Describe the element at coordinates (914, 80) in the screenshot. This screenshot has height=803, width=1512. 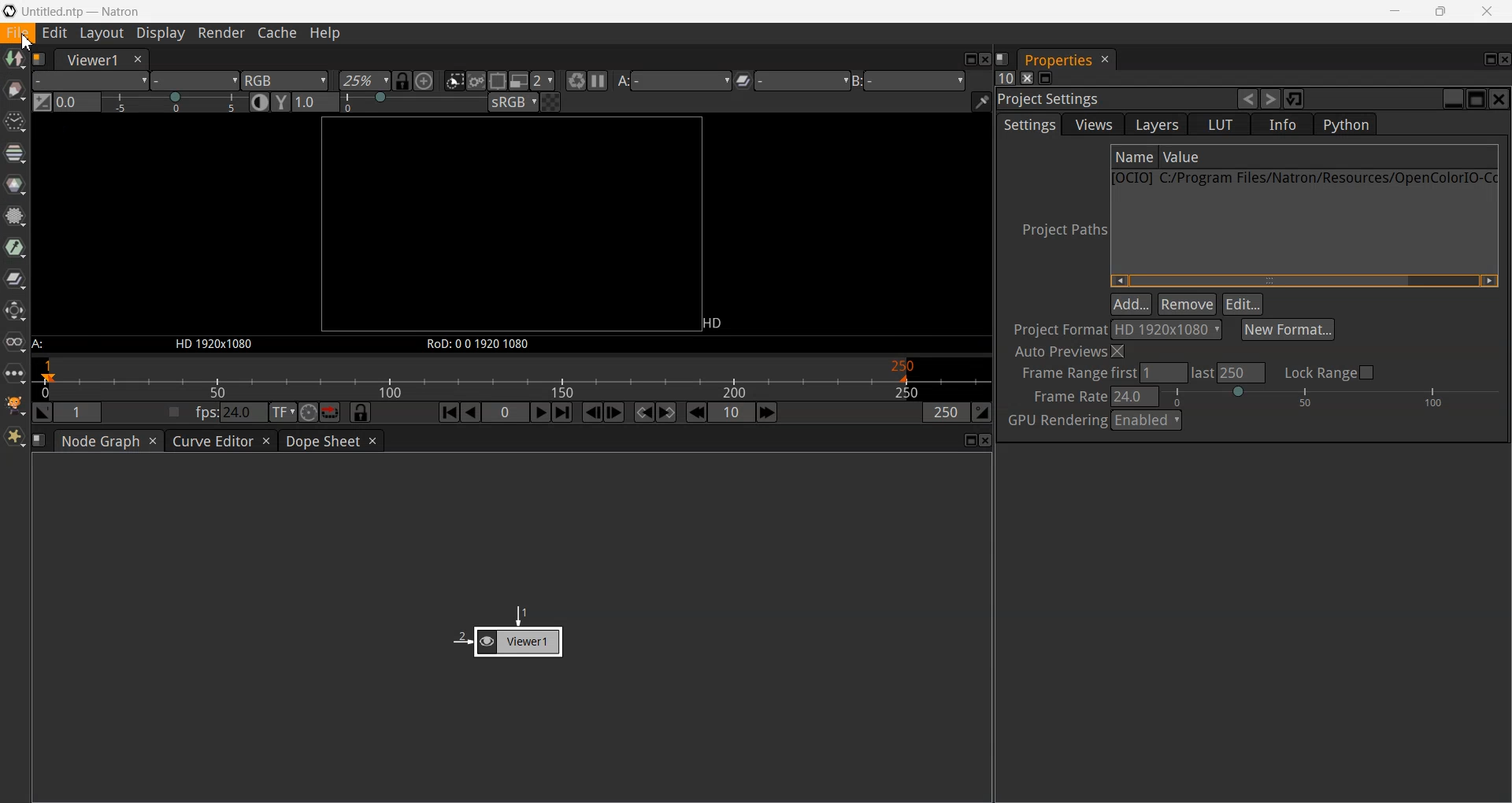
I see `Viewer B` at that location.